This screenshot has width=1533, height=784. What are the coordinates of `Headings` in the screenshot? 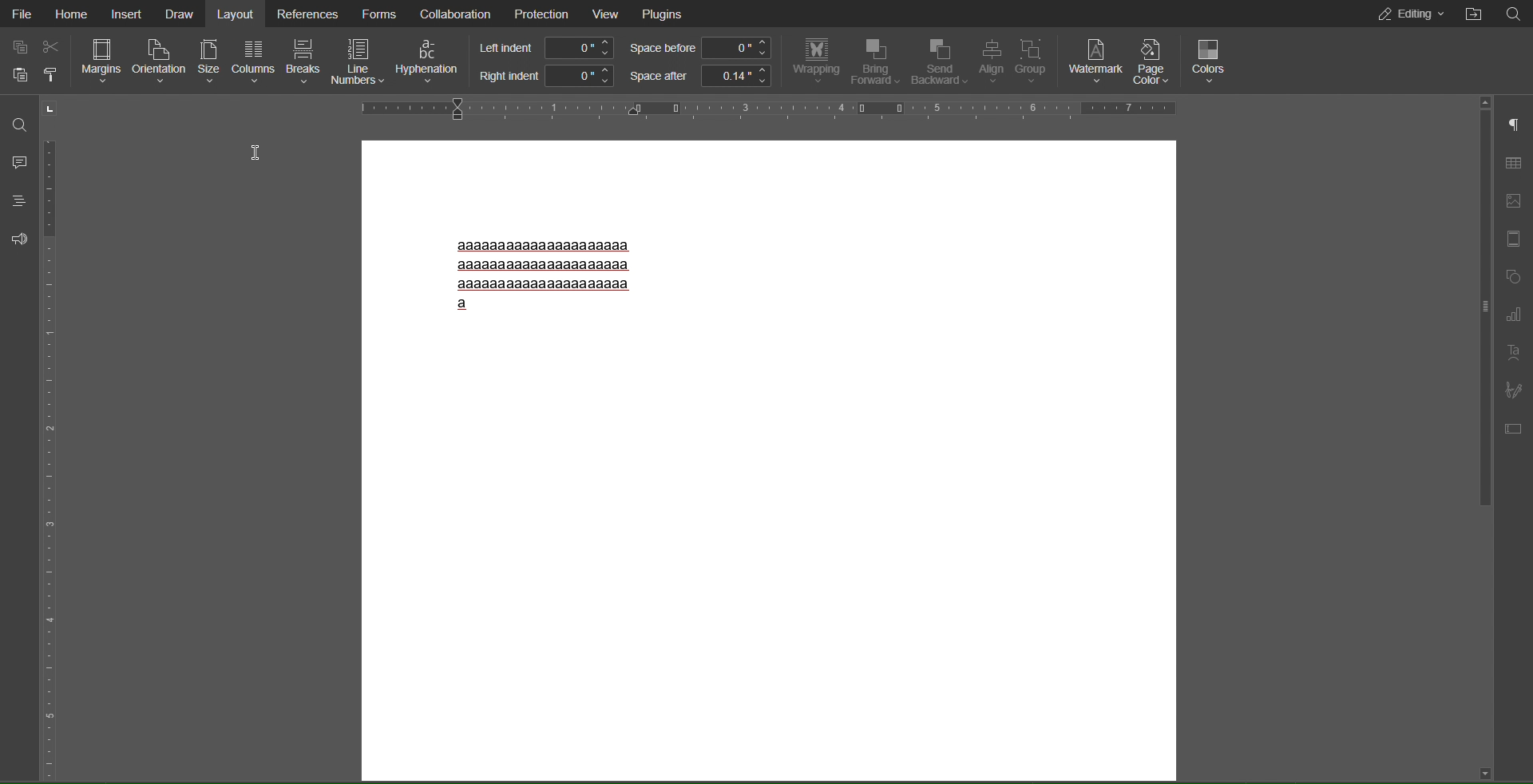 It's located at (18, 200).